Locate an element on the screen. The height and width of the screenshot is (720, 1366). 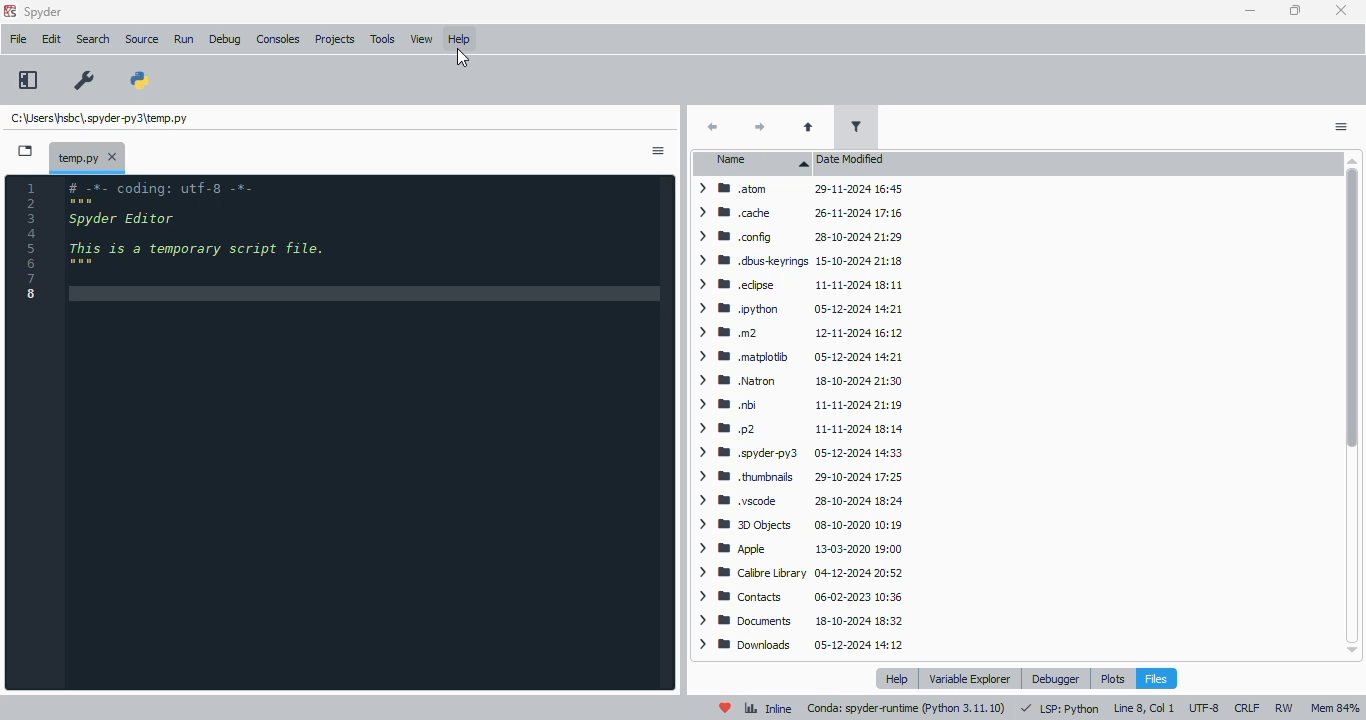
options is located at coordinates (1343, 127).